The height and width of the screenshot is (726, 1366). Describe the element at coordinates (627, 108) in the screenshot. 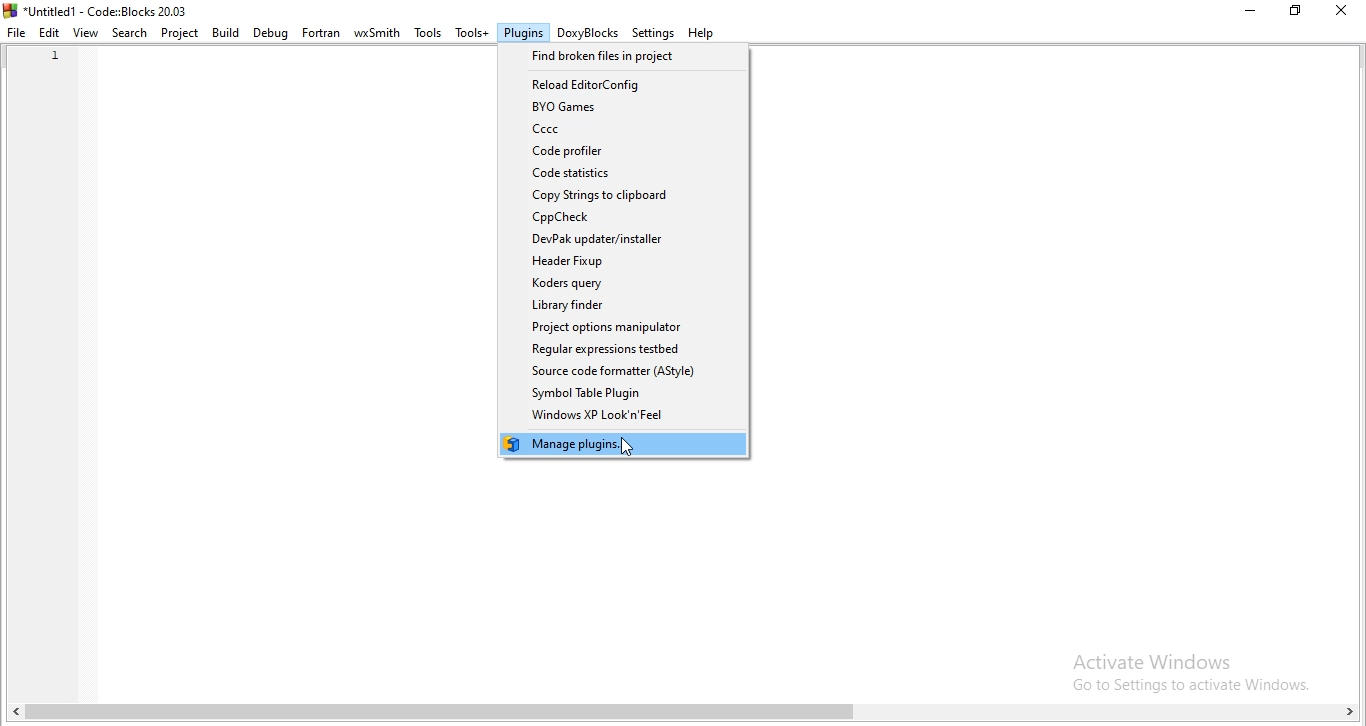

I see `BYO Games` at that location.